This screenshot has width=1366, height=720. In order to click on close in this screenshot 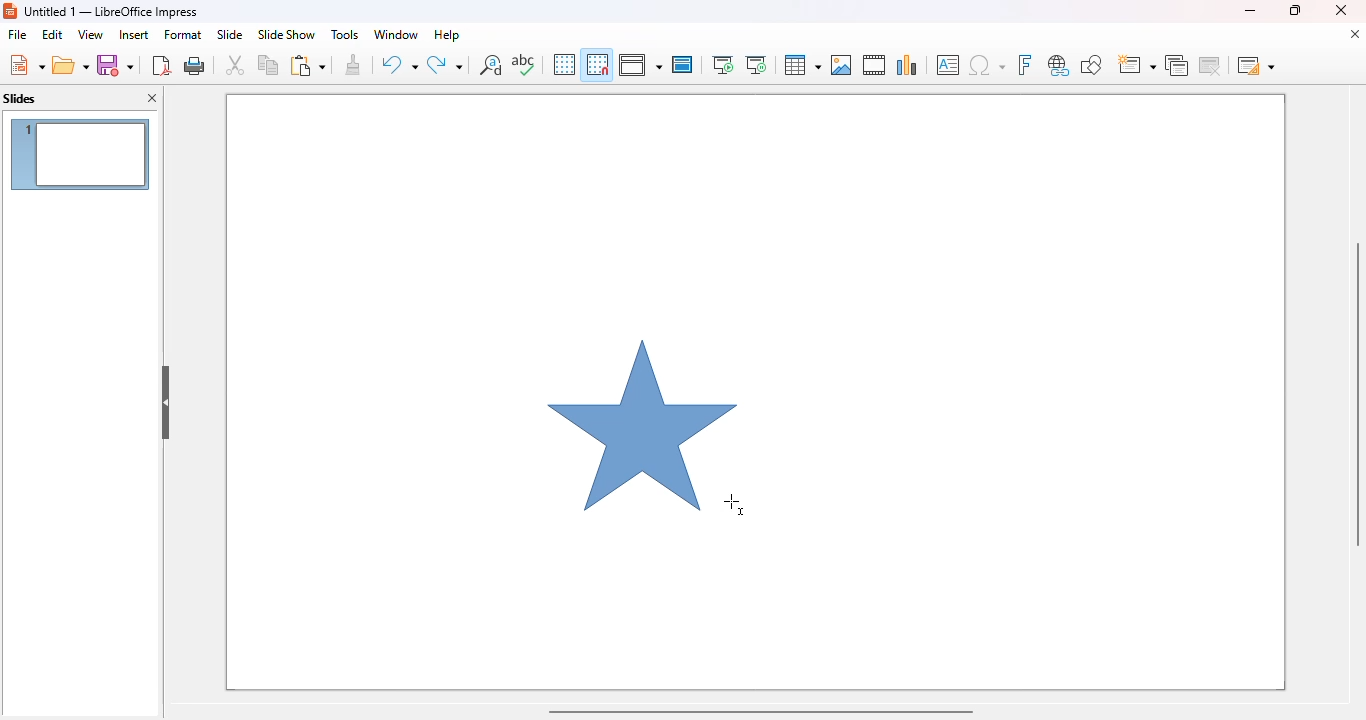, I will do `click(1341, 10)`.